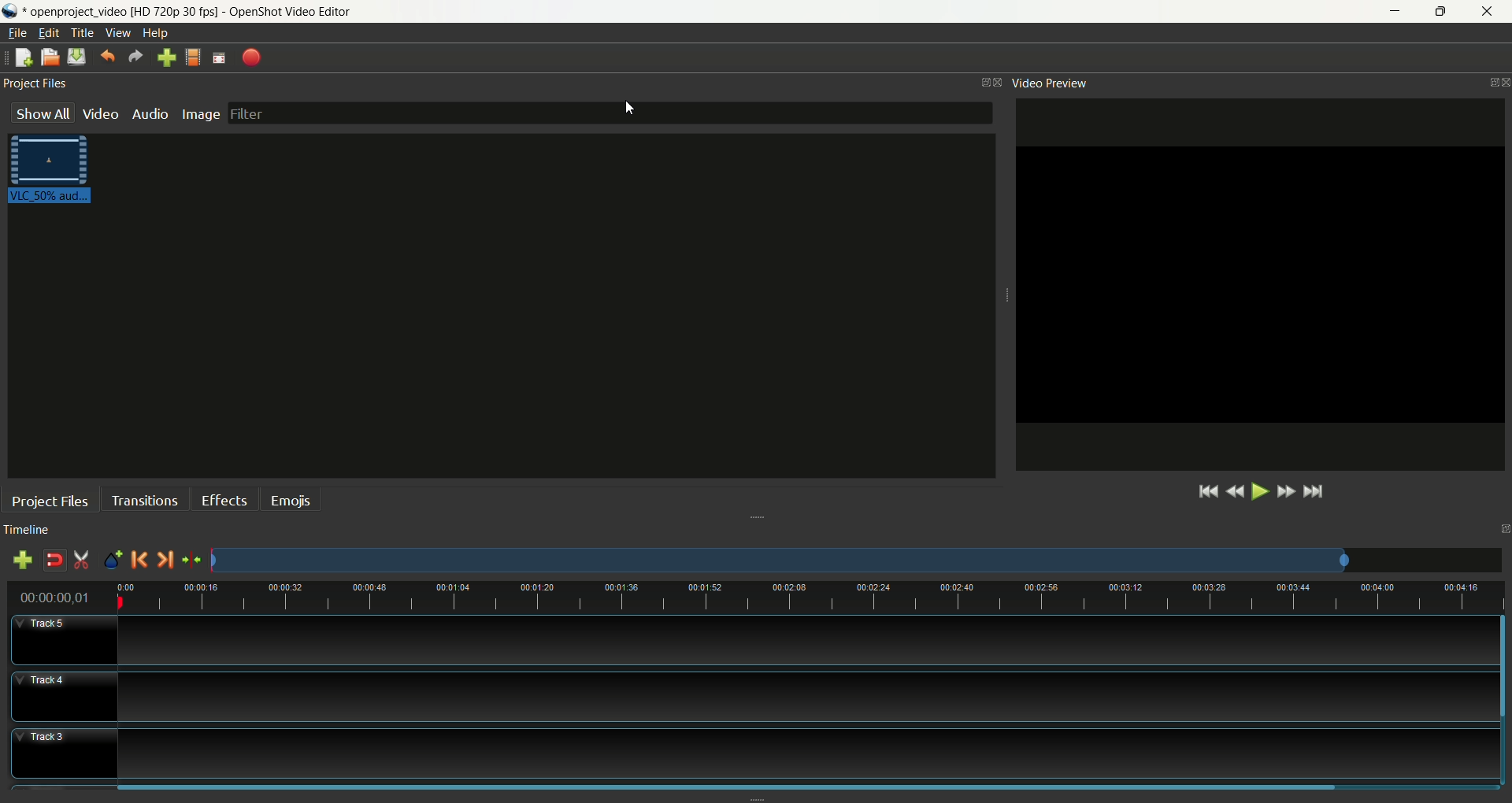 The width and height of the screenshot is (1512, 803). I want to click on undo, so click(108, 57).